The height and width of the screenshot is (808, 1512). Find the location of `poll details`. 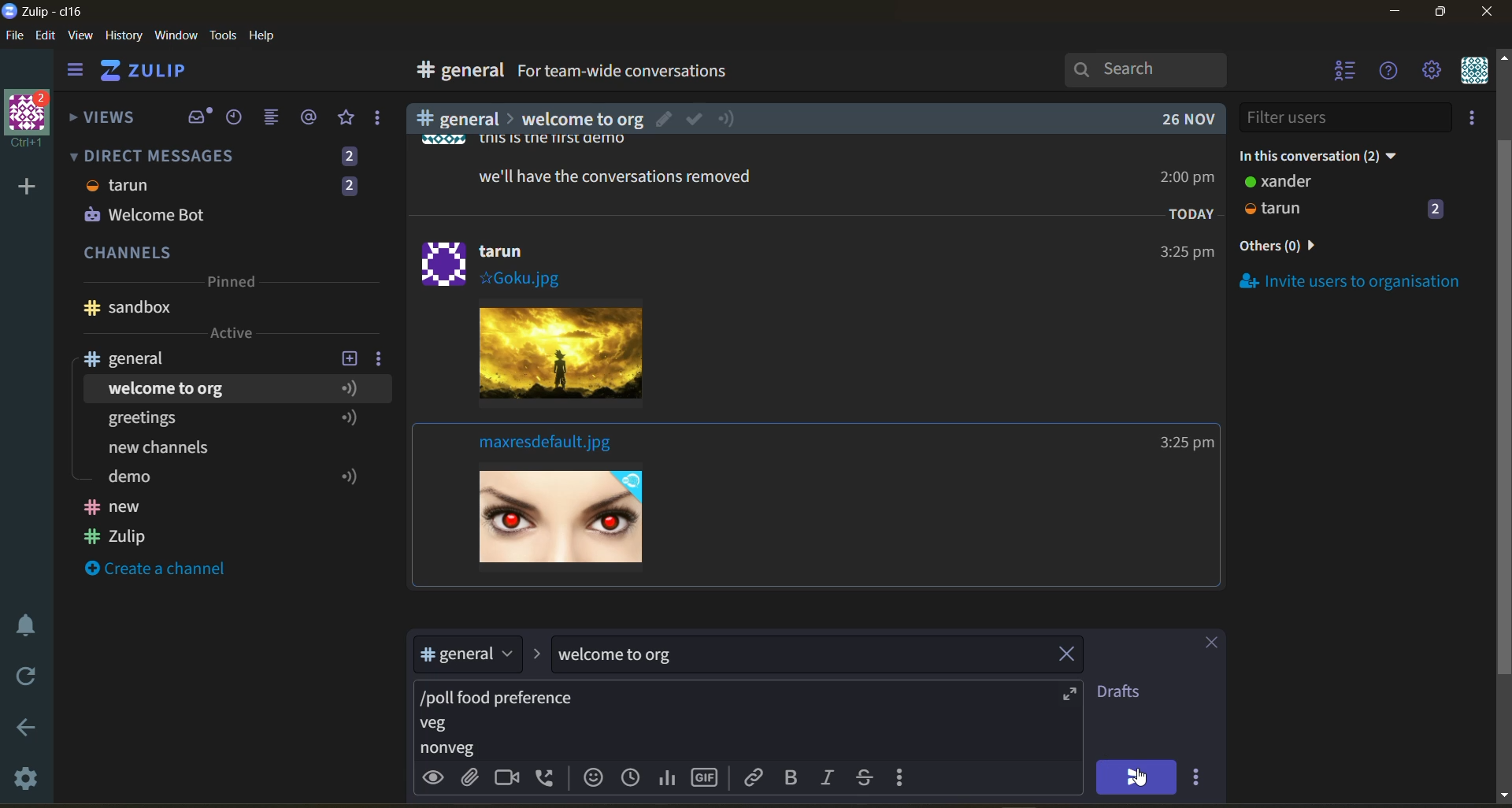

poll details is located at coordinates (503, 719).